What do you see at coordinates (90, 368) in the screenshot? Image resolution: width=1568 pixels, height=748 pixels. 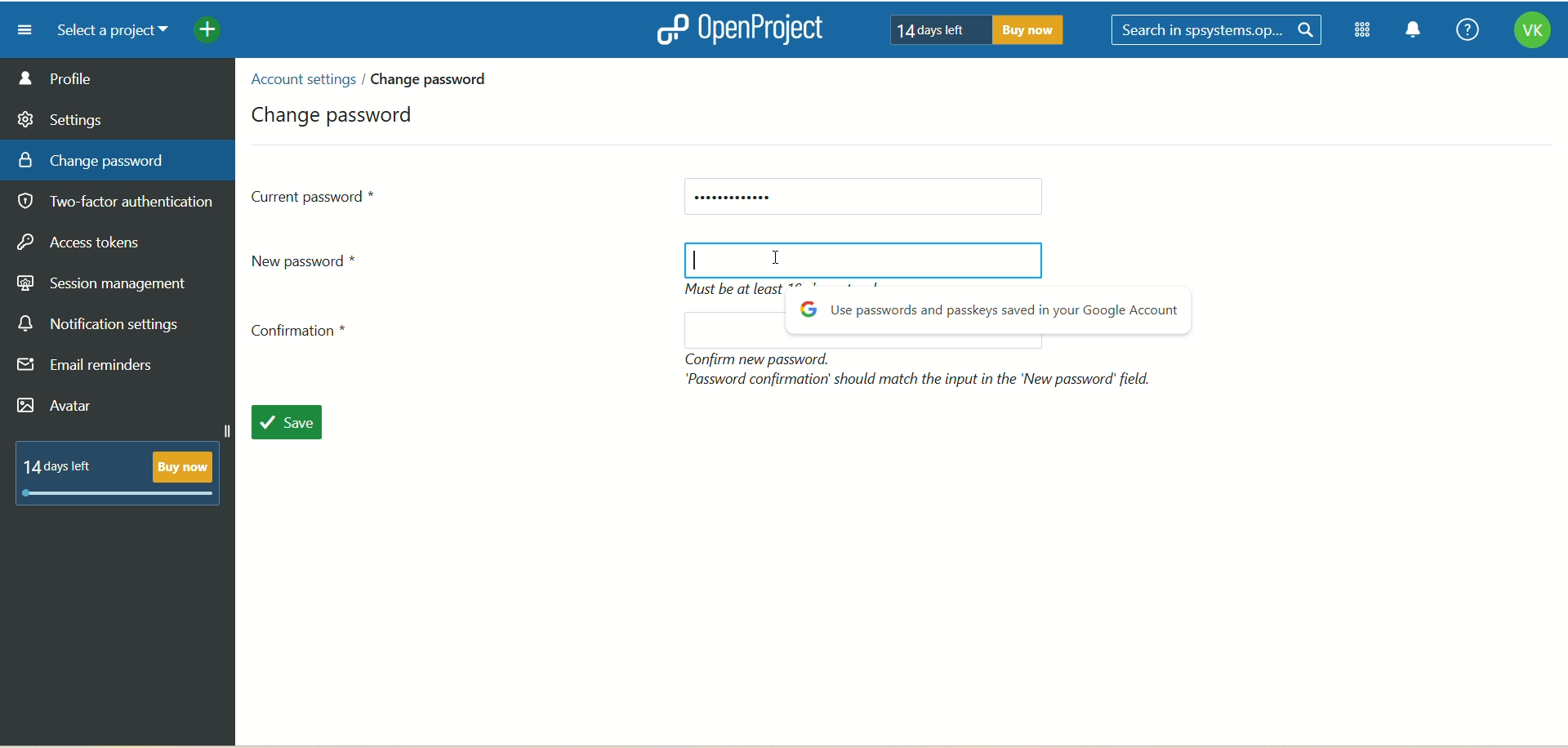 I see `email reminders` at bounding box center [90, 368].